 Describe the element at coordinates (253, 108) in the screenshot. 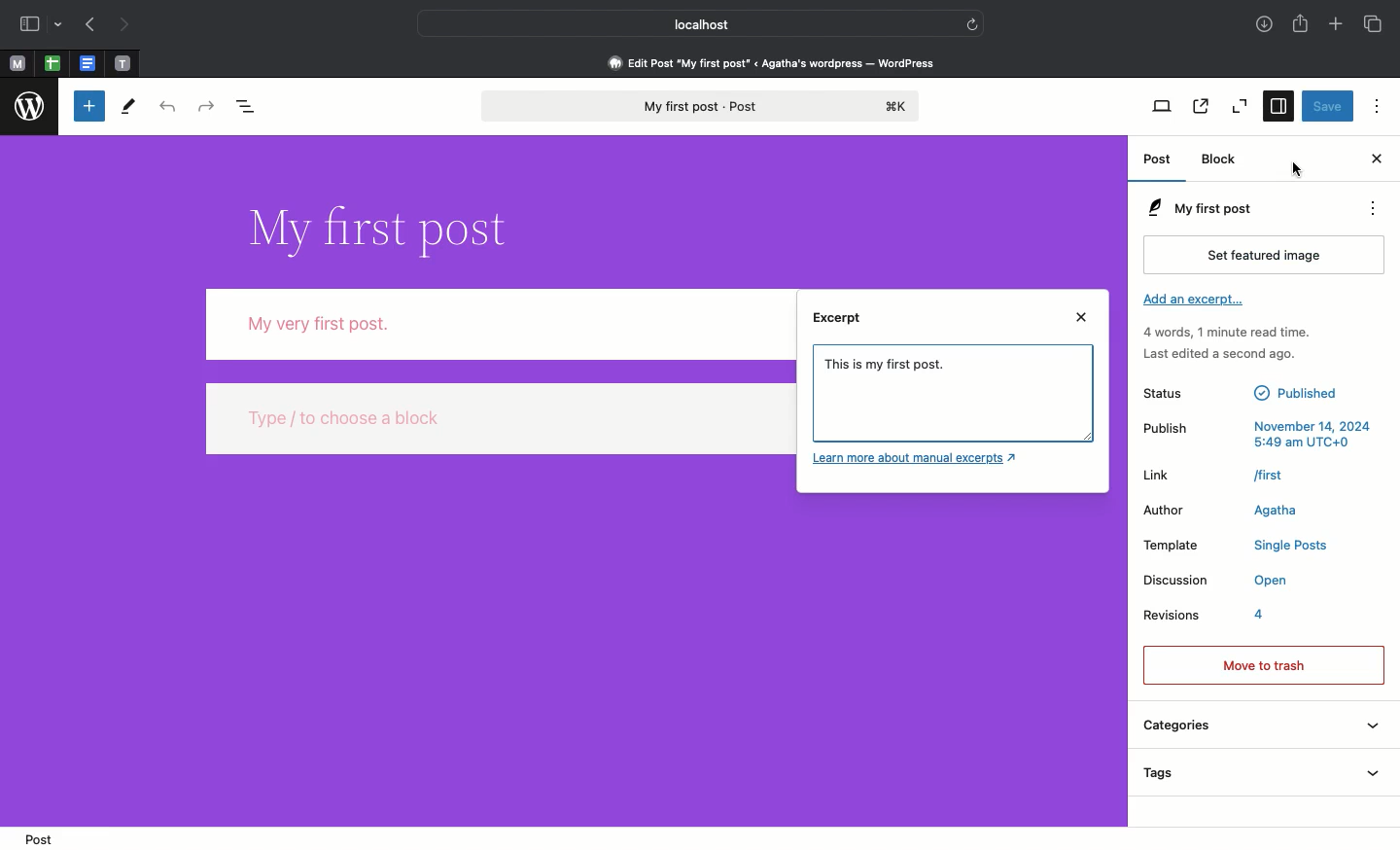

I see `Document overview` at that location.